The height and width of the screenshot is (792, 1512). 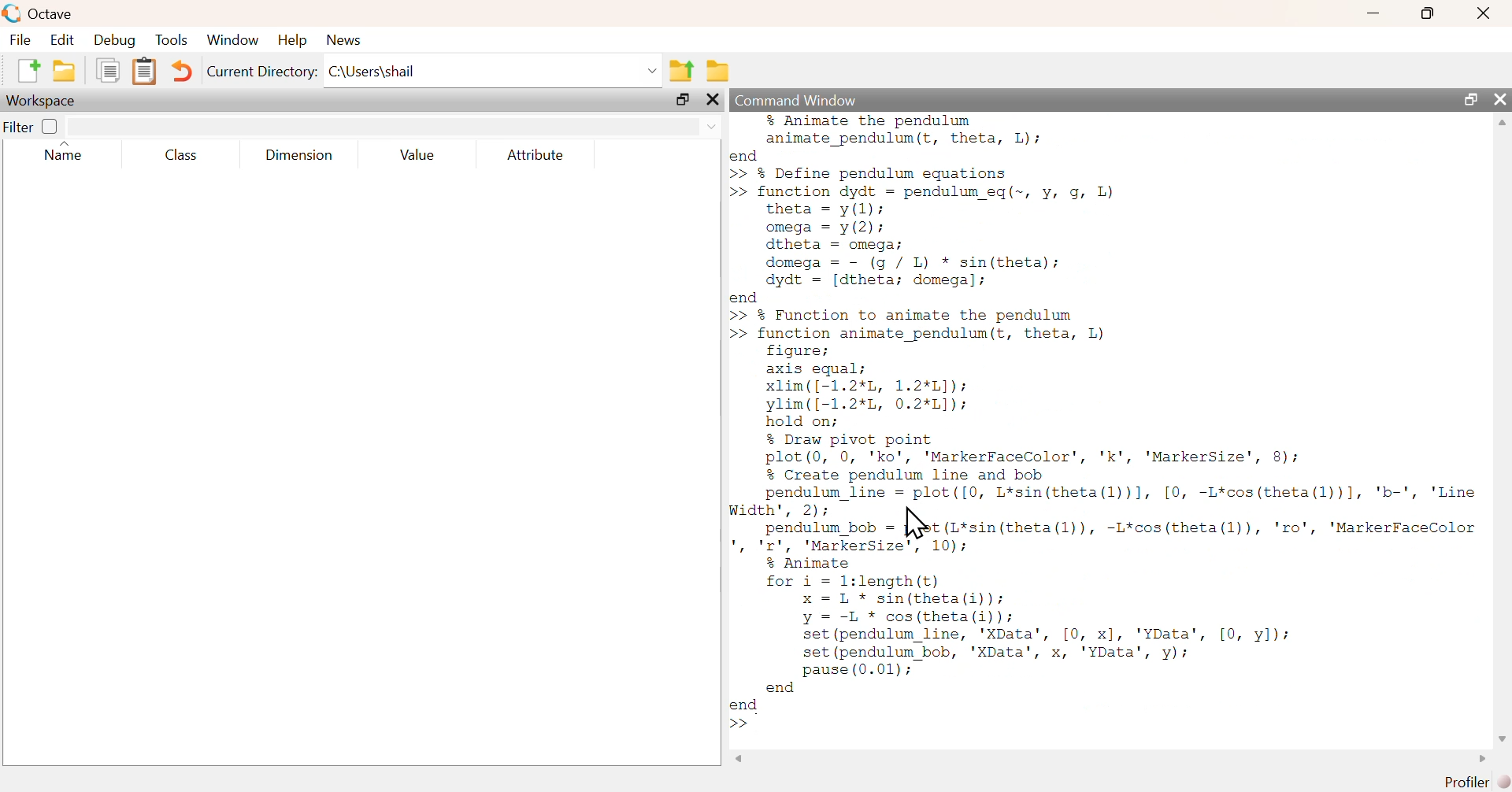 What do you see at coordinates (13, 13) in the screenshot?
I see `logo` at bounding box center [13, 13].